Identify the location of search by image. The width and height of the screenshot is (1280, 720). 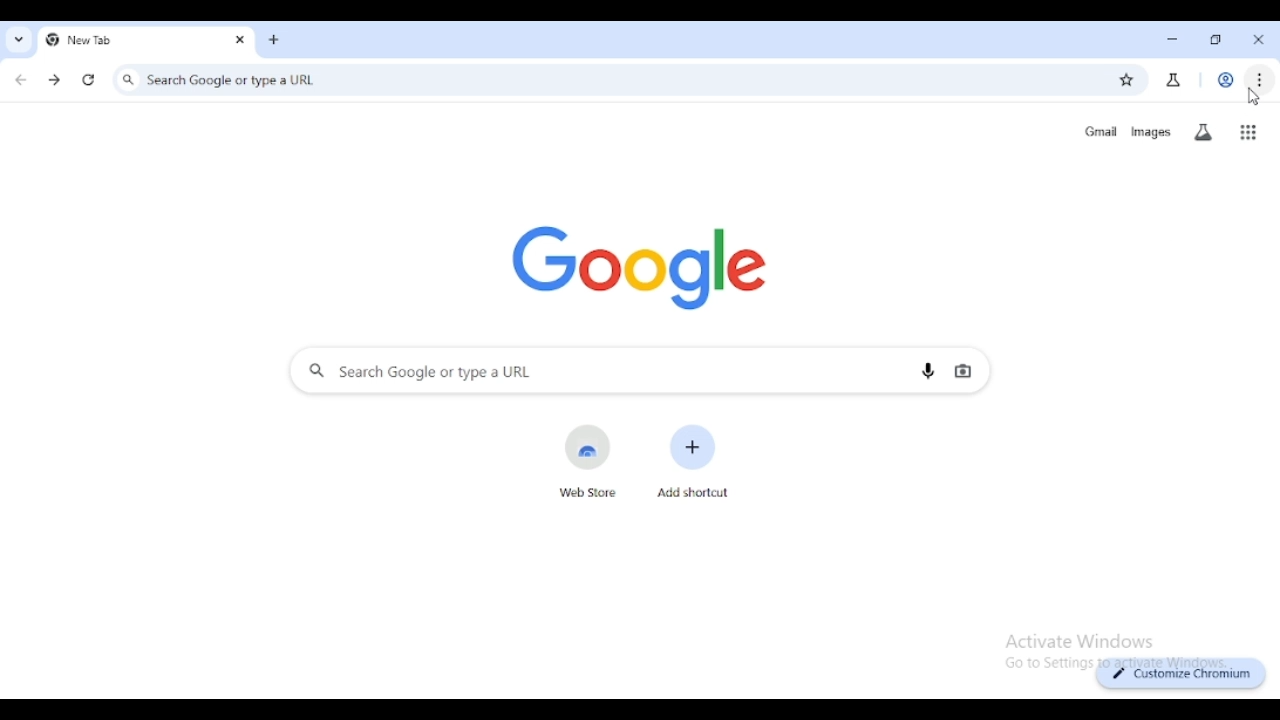
(963, 372).